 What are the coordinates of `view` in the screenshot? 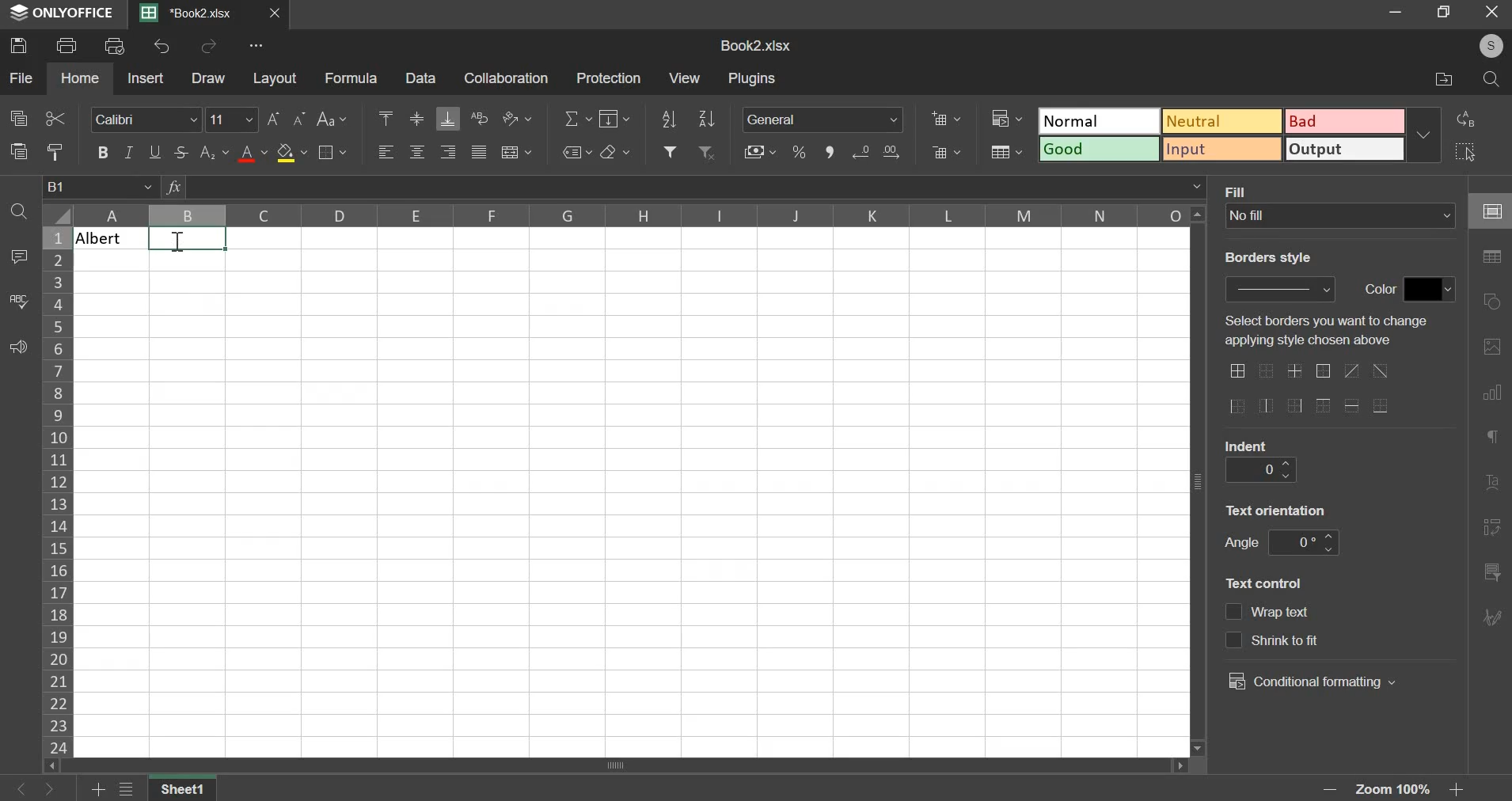 It's located at (686, 78).